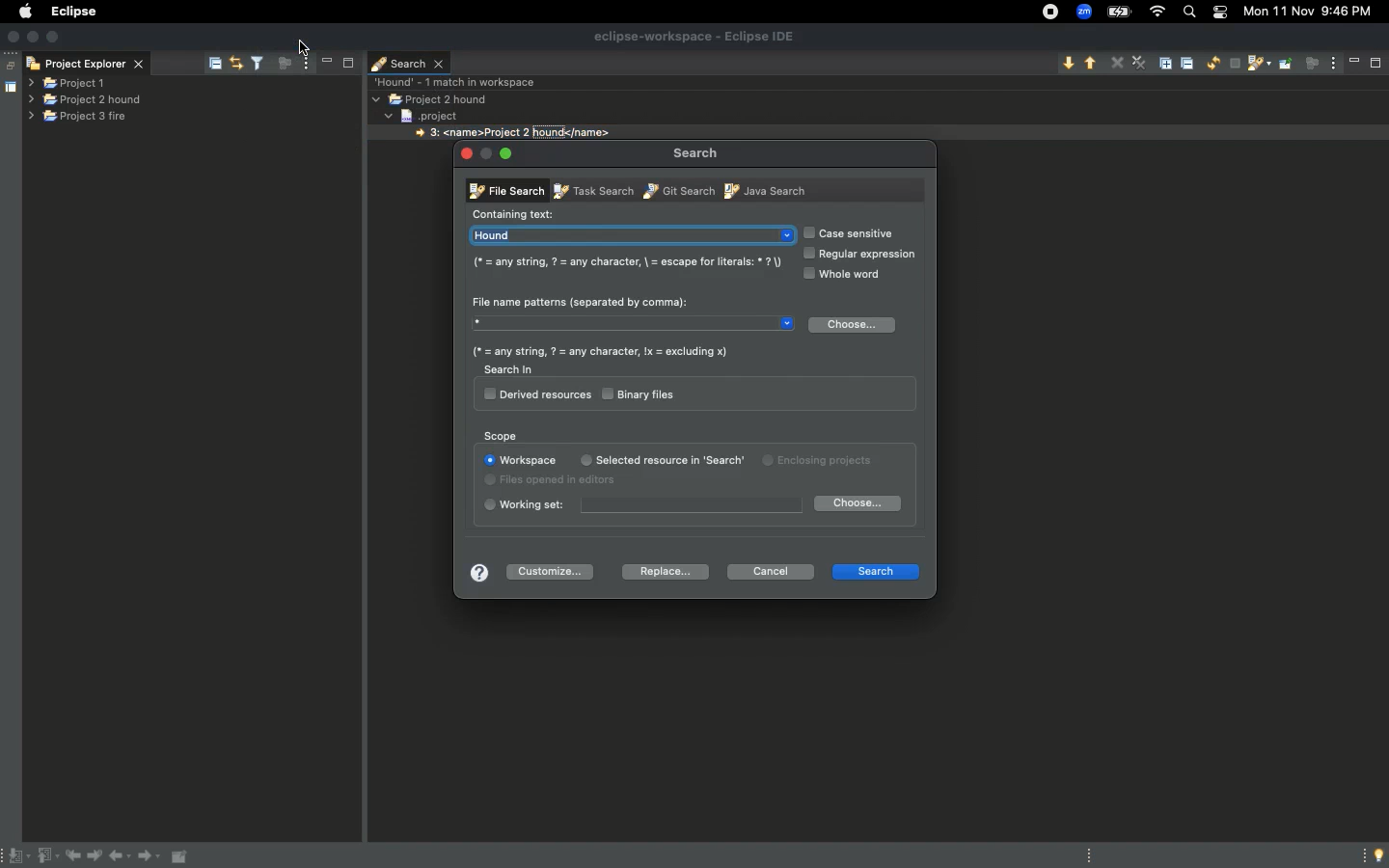 This screenshot has height=868, width=1389. What do you see at coordinates (75, 118) in the screenshot?
I see `Project 3 fire` at bounding box center [75, 118].